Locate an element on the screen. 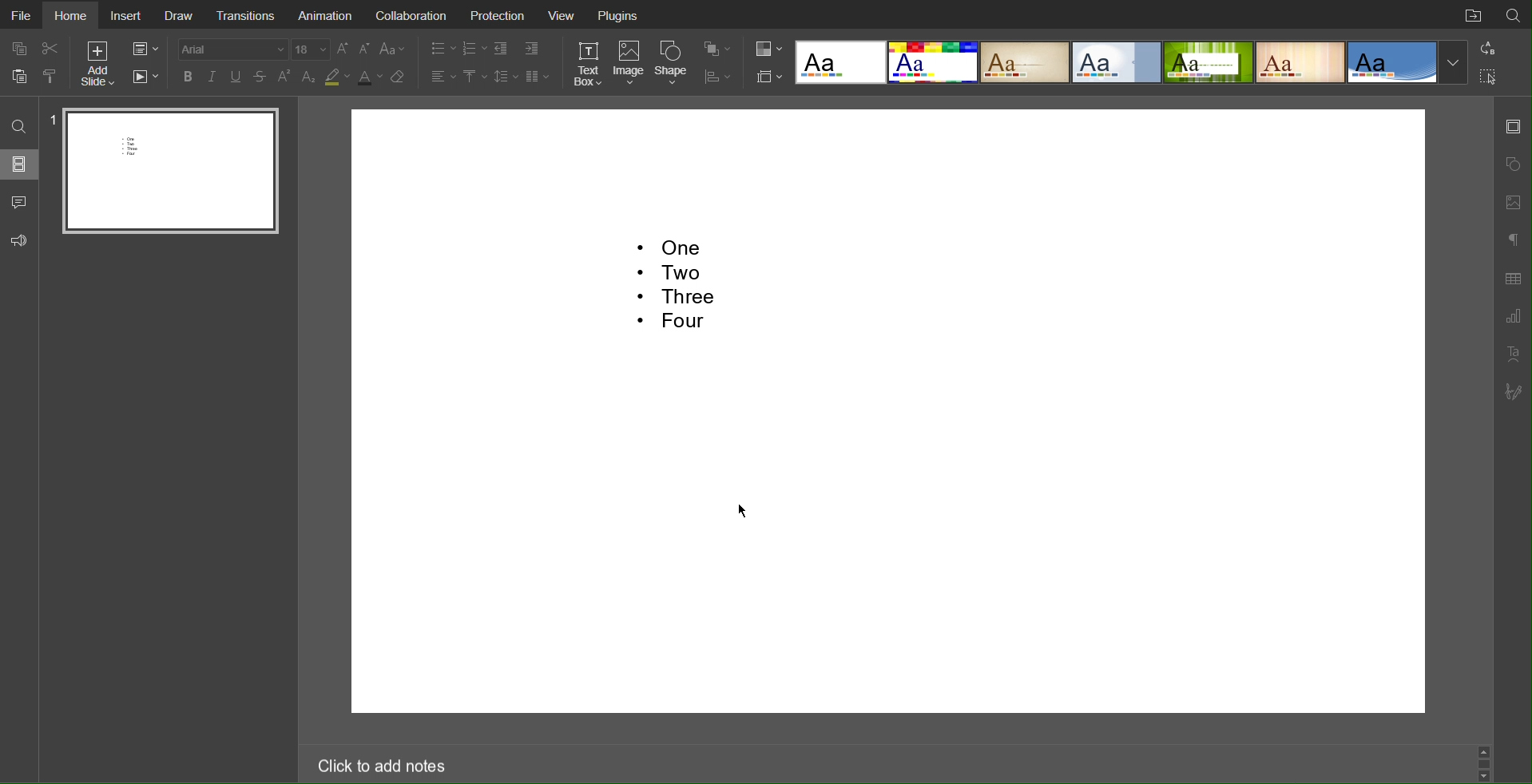 The width and height of the screenshot is (1532, 784). Subscript is located at coordinates (309, 77).